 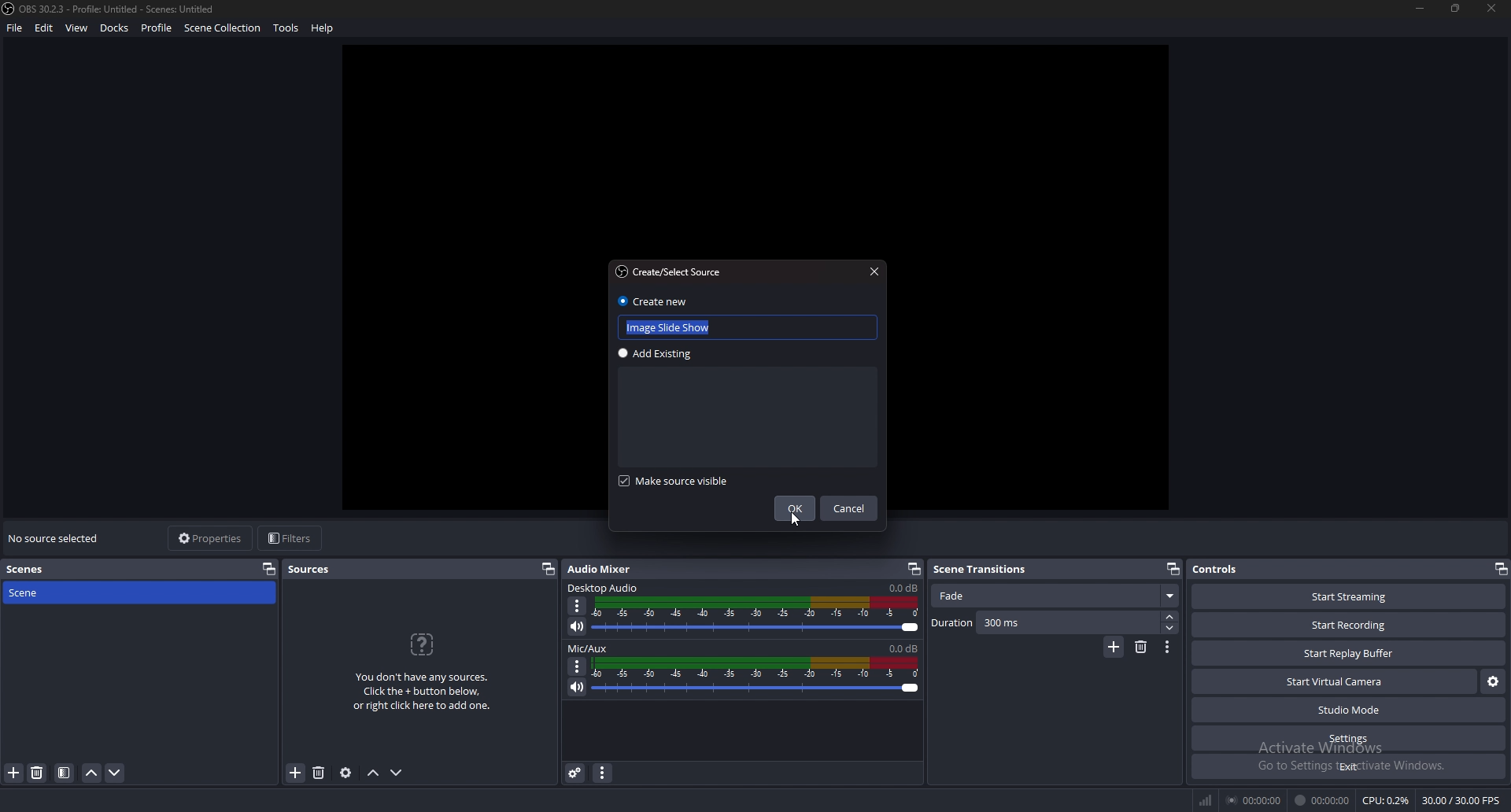 What do you see at coordinates (608, 568) in the screenshot?
I see `audio mixer` at bounding box center [608, 568].